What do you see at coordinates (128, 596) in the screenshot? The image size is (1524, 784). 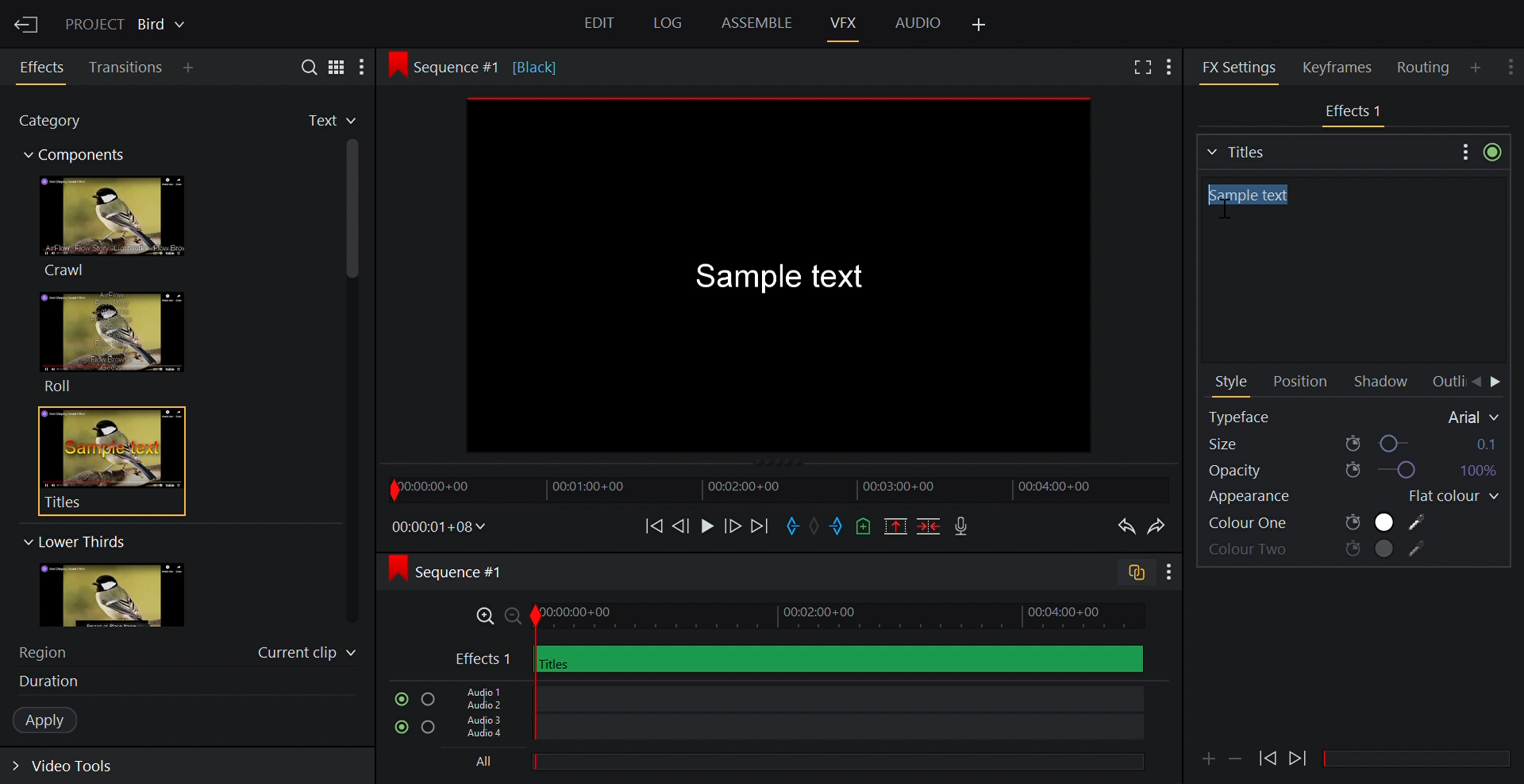 I see `image` at bounding box center [128, 596].